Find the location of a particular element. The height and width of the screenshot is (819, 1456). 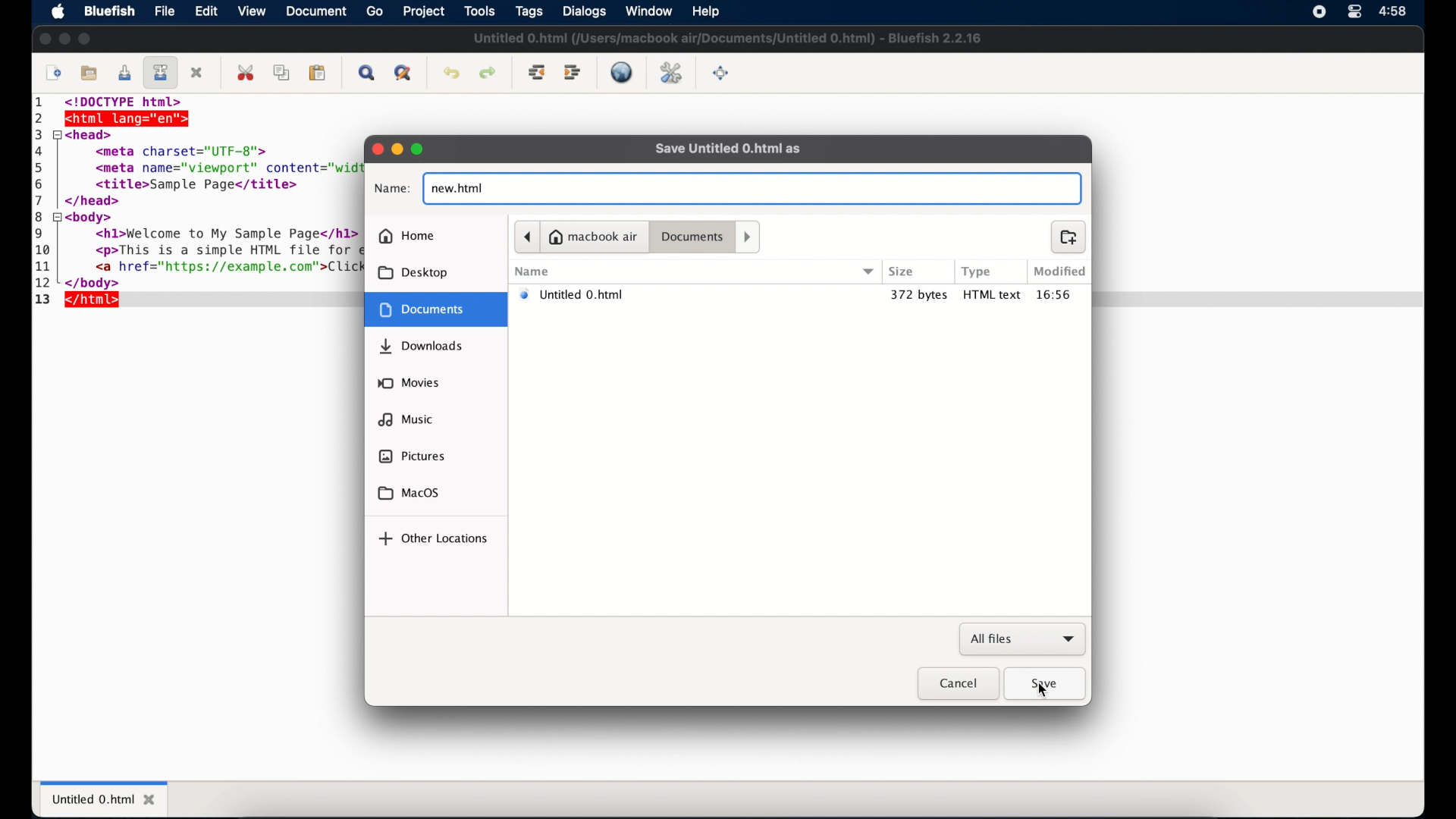

</body> is located at coordinates (99, 282).